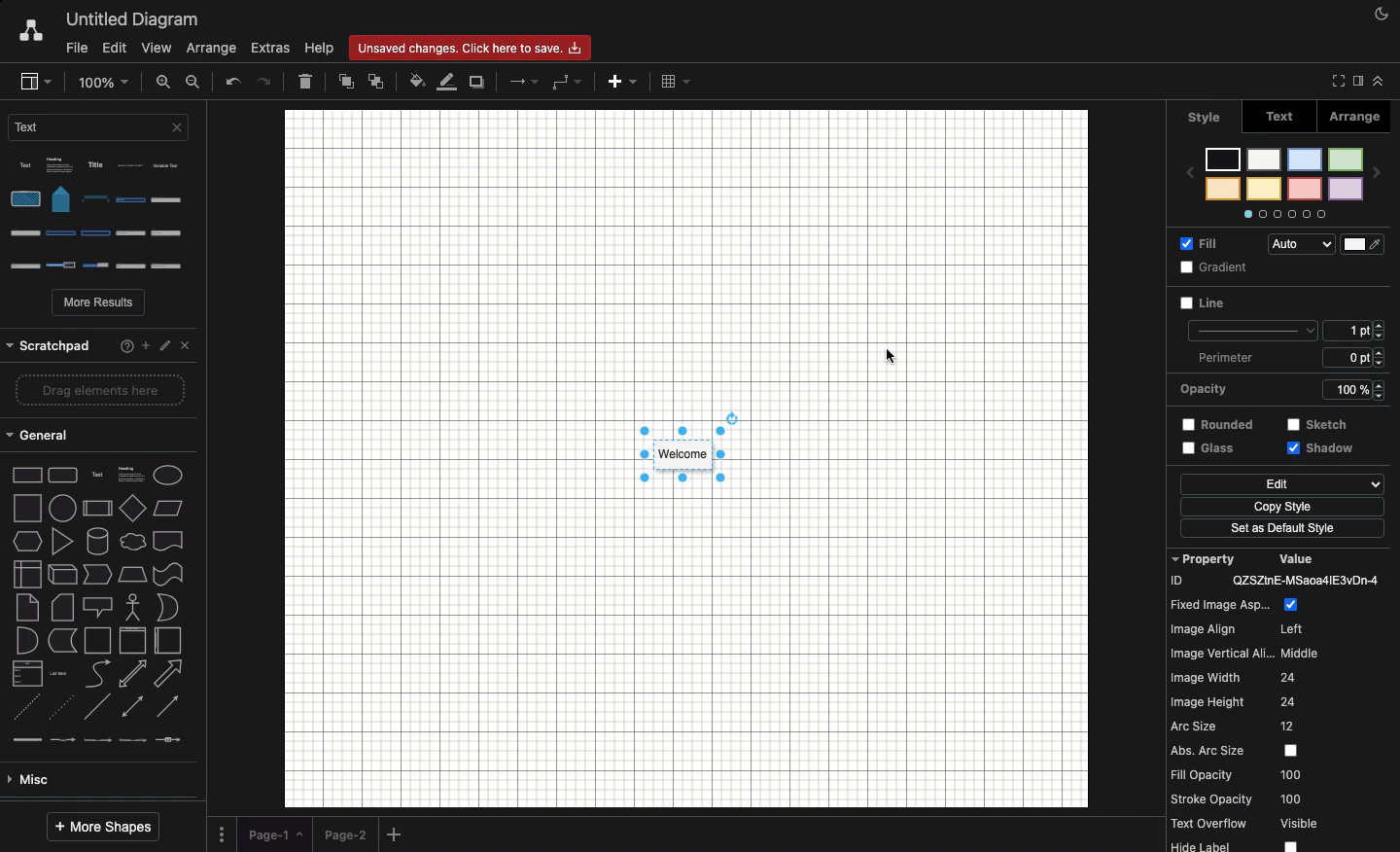  I want to click on Opacity, so click(1290, 357).